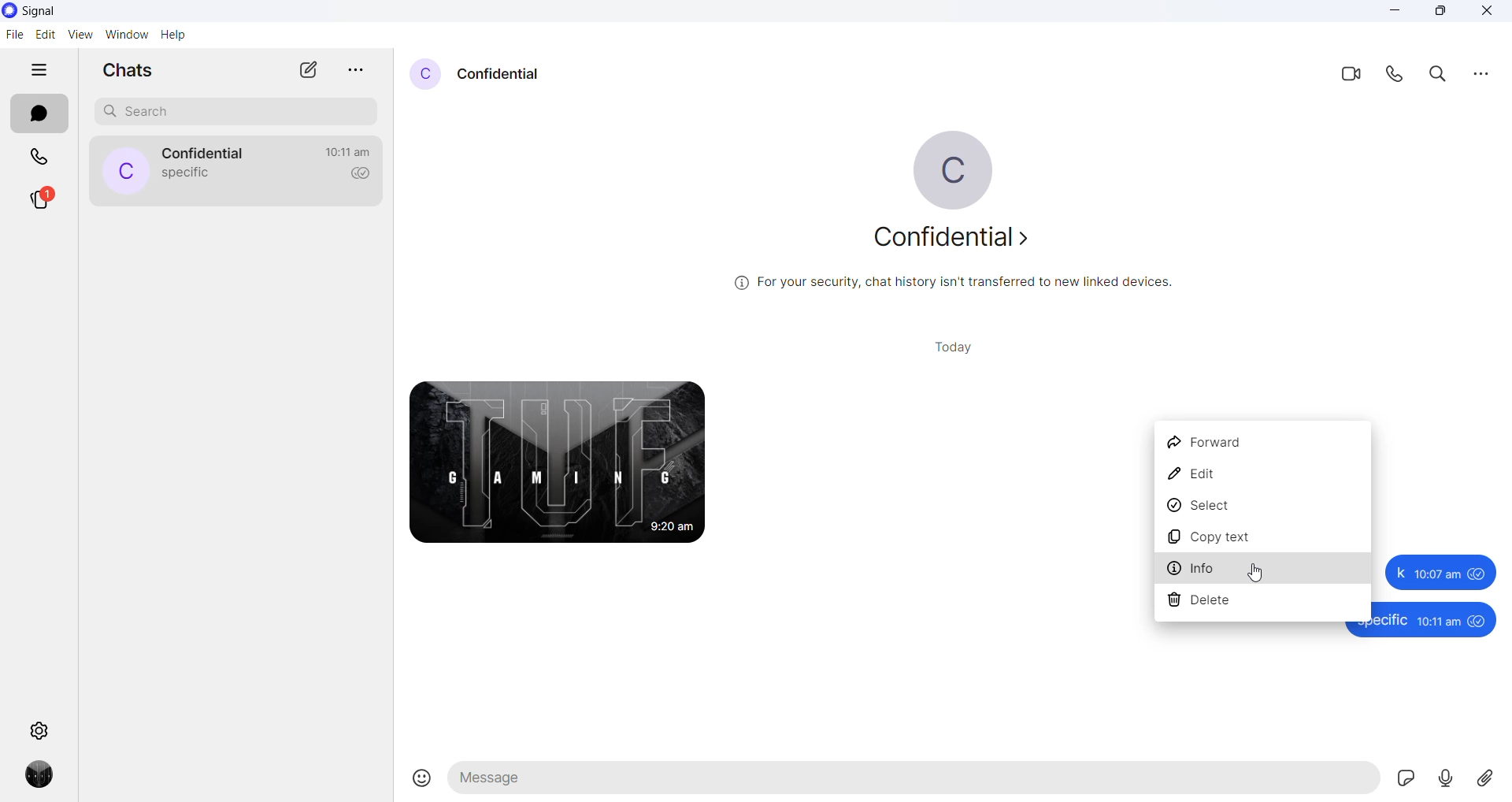 The image size is (1512, 802). I want to click on edit, so click(1260, 475).